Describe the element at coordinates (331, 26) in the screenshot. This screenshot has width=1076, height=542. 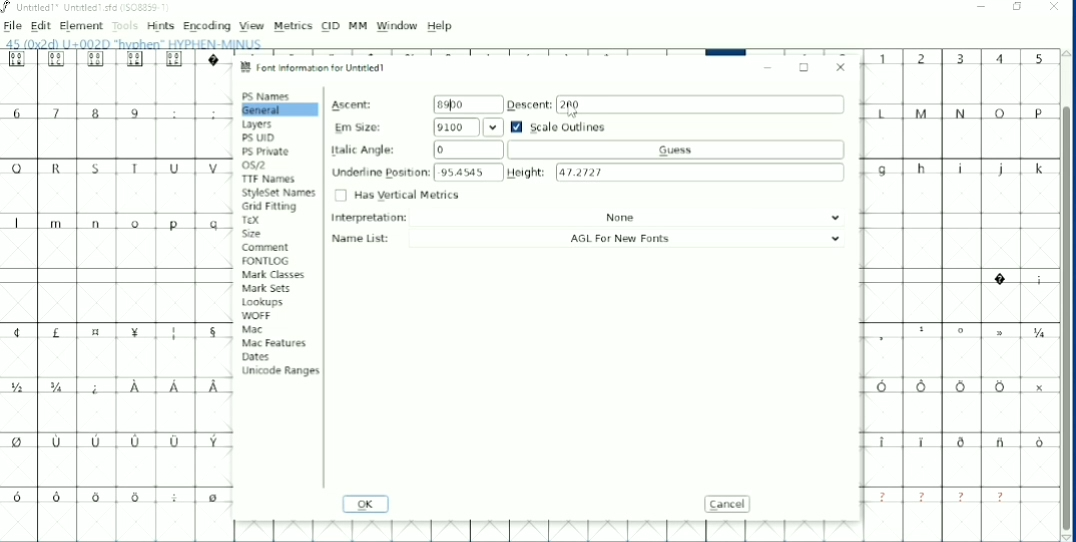
I see `CID` at that location.